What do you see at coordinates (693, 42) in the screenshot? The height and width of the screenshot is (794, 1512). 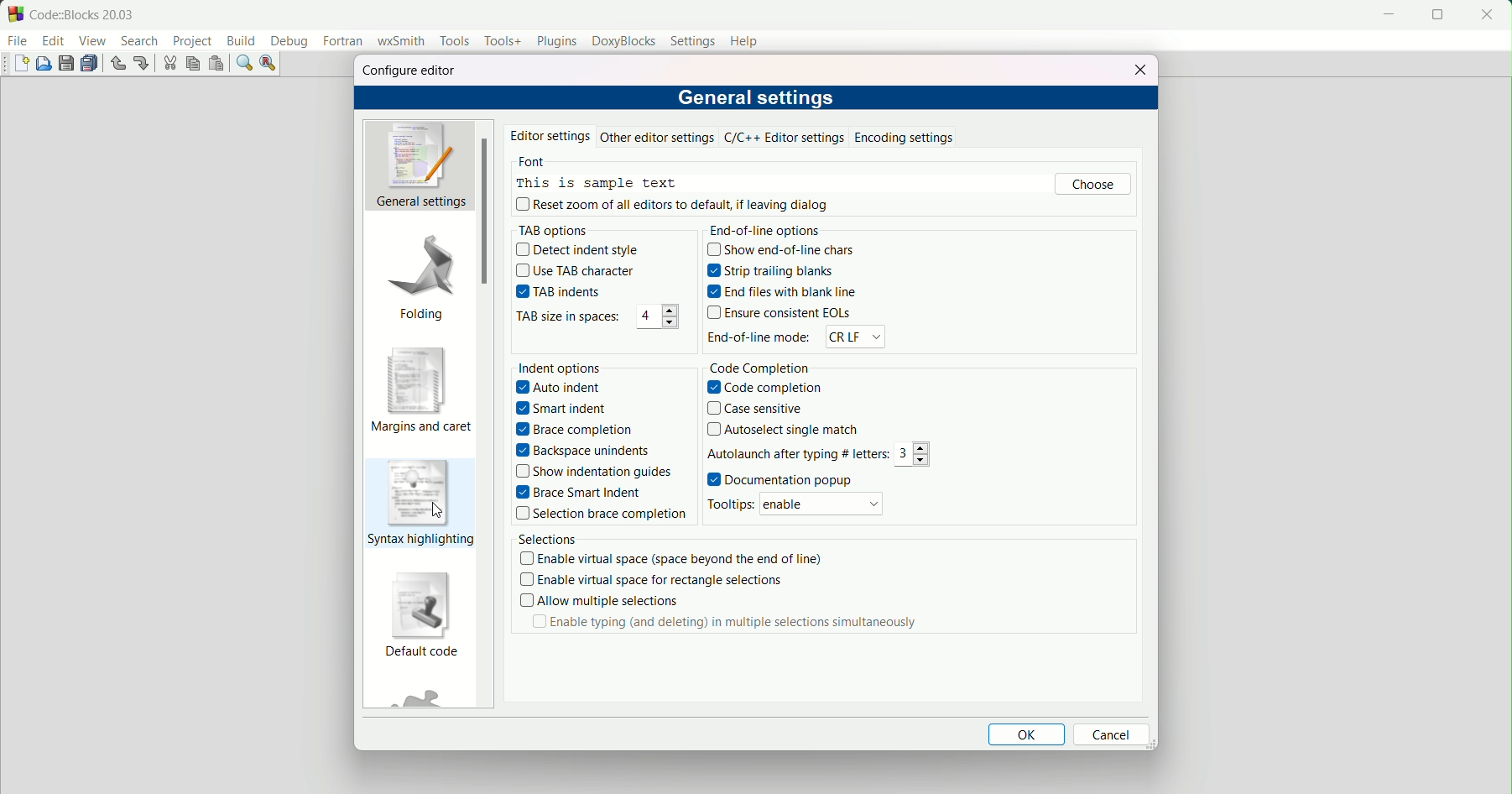 I see `settings` at bounding box center [693, 42].